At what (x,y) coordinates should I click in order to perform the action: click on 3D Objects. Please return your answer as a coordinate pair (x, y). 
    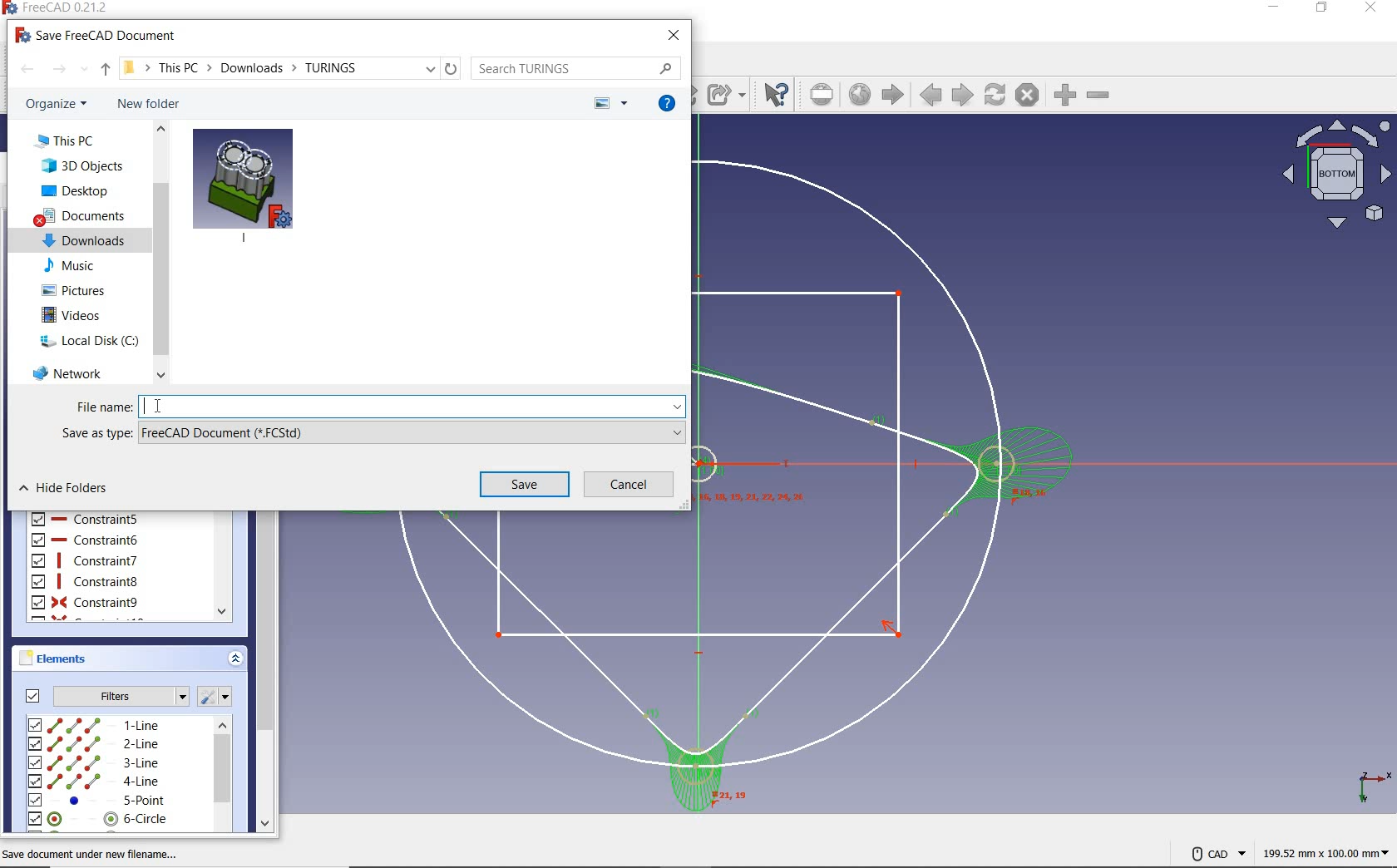
    Looking at the image, I should click on (81, 165).